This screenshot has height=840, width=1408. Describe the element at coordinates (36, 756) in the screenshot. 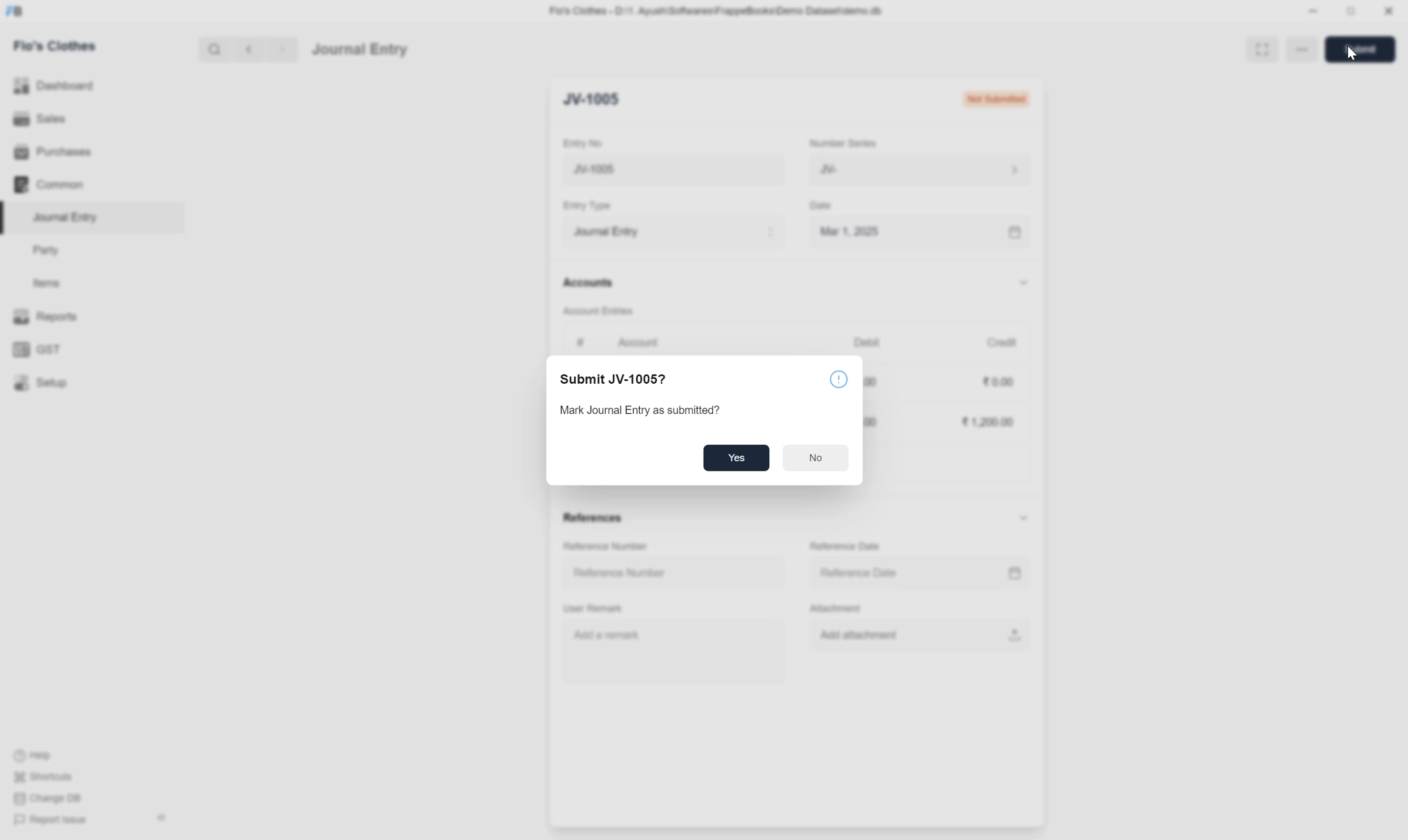

I see `Help` at that location.